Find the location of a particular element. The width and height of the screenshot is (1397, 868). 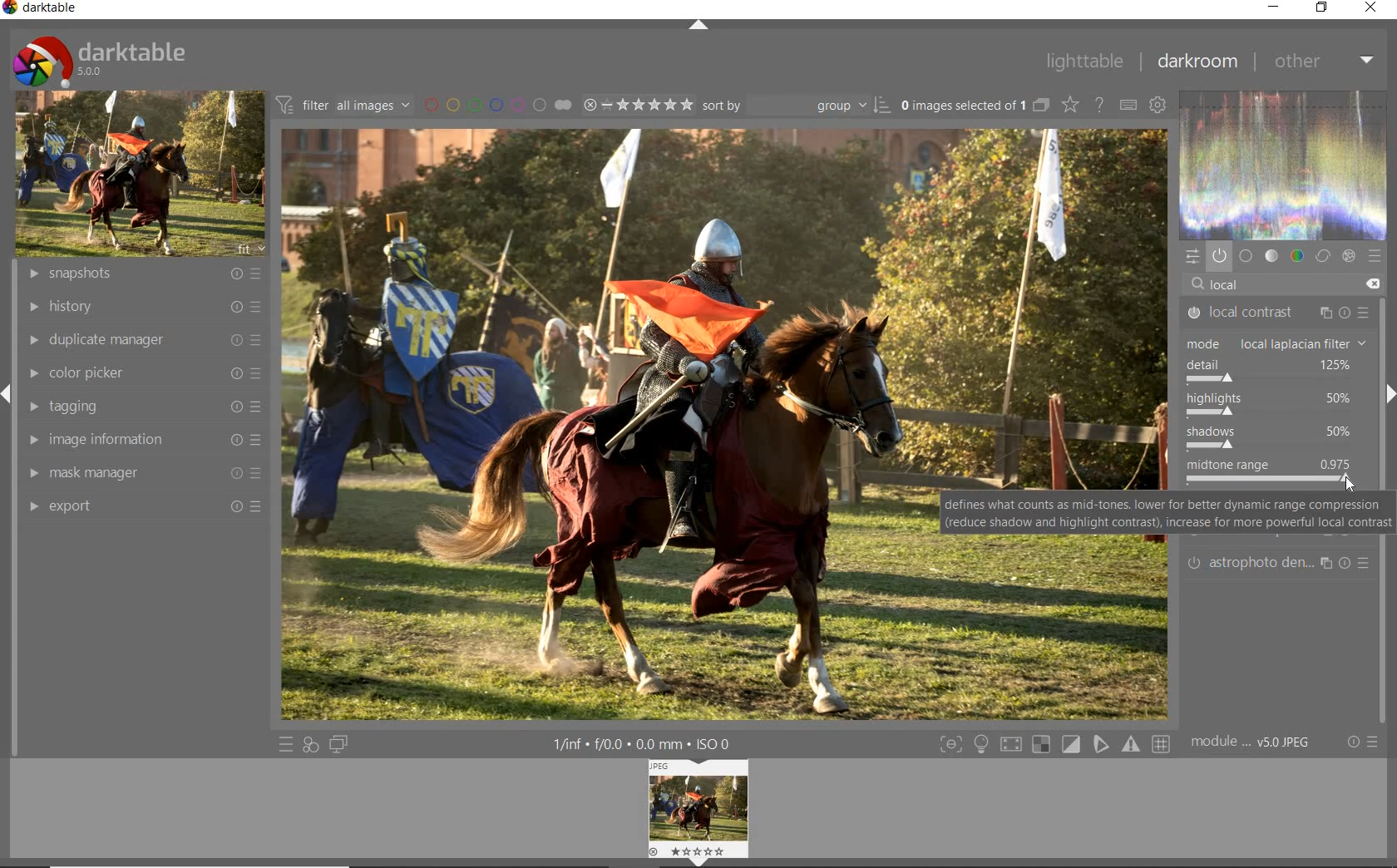

show only active modules is located at coordinates (1219, 253).